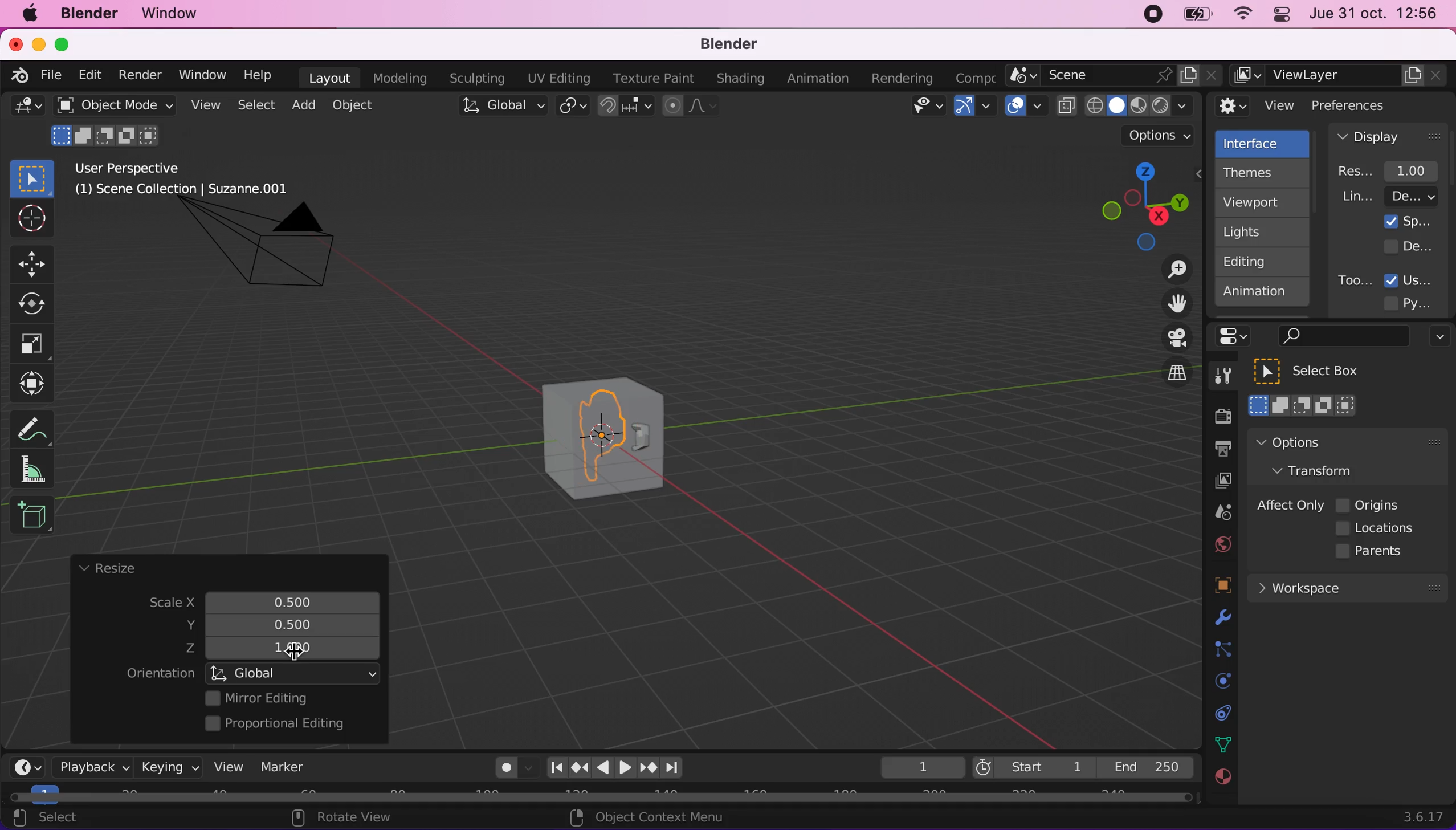  Describe the element at coordinates (201, 75) in the screenshot. I see `window` at that location.